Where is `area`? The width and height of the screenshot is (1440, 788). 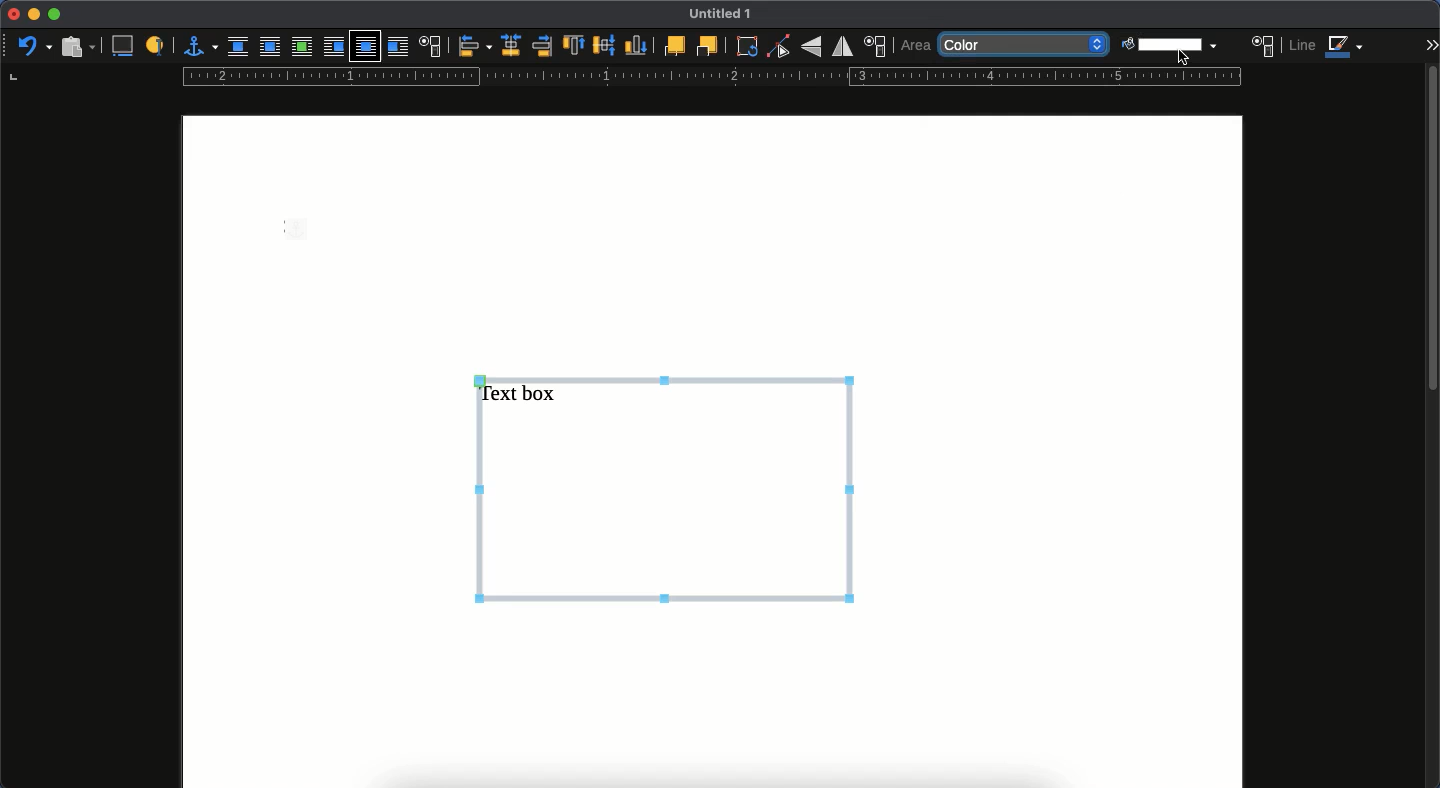 area is located at coordinates (916, 45).